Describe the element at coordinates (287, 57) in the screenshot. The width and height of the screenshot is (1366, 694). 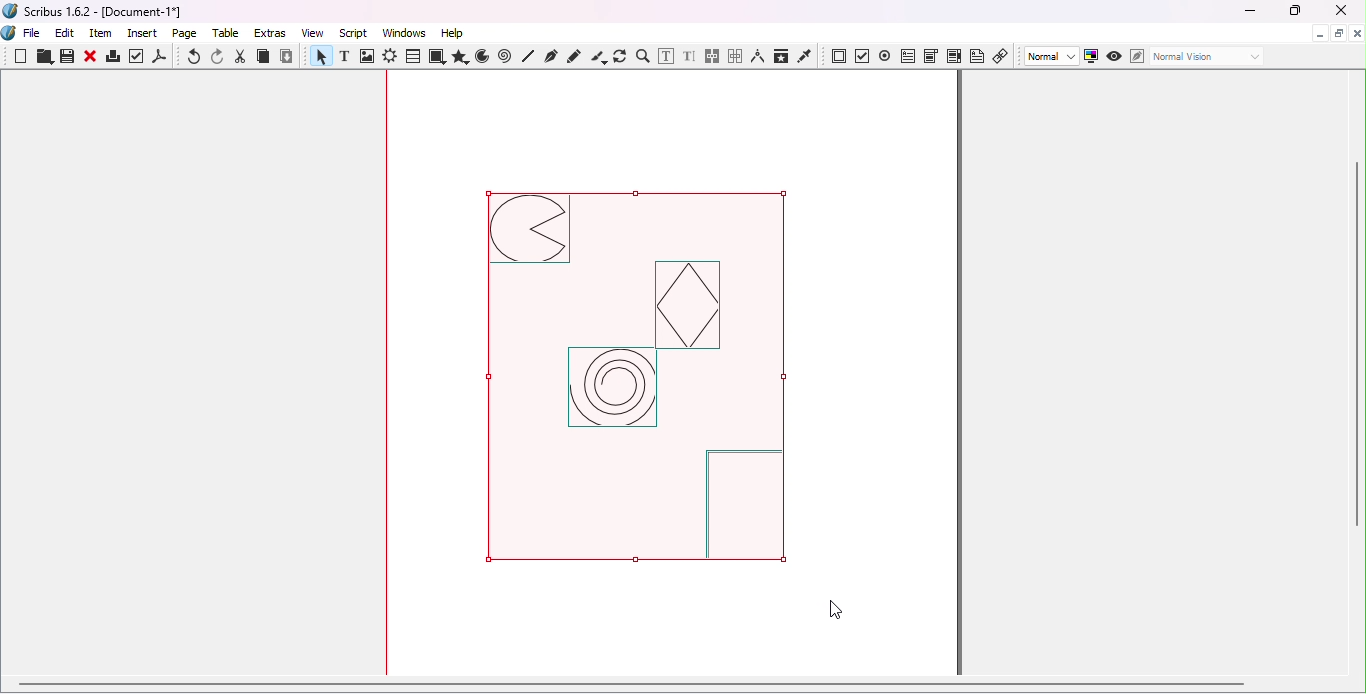
I see `Paste` at that location.